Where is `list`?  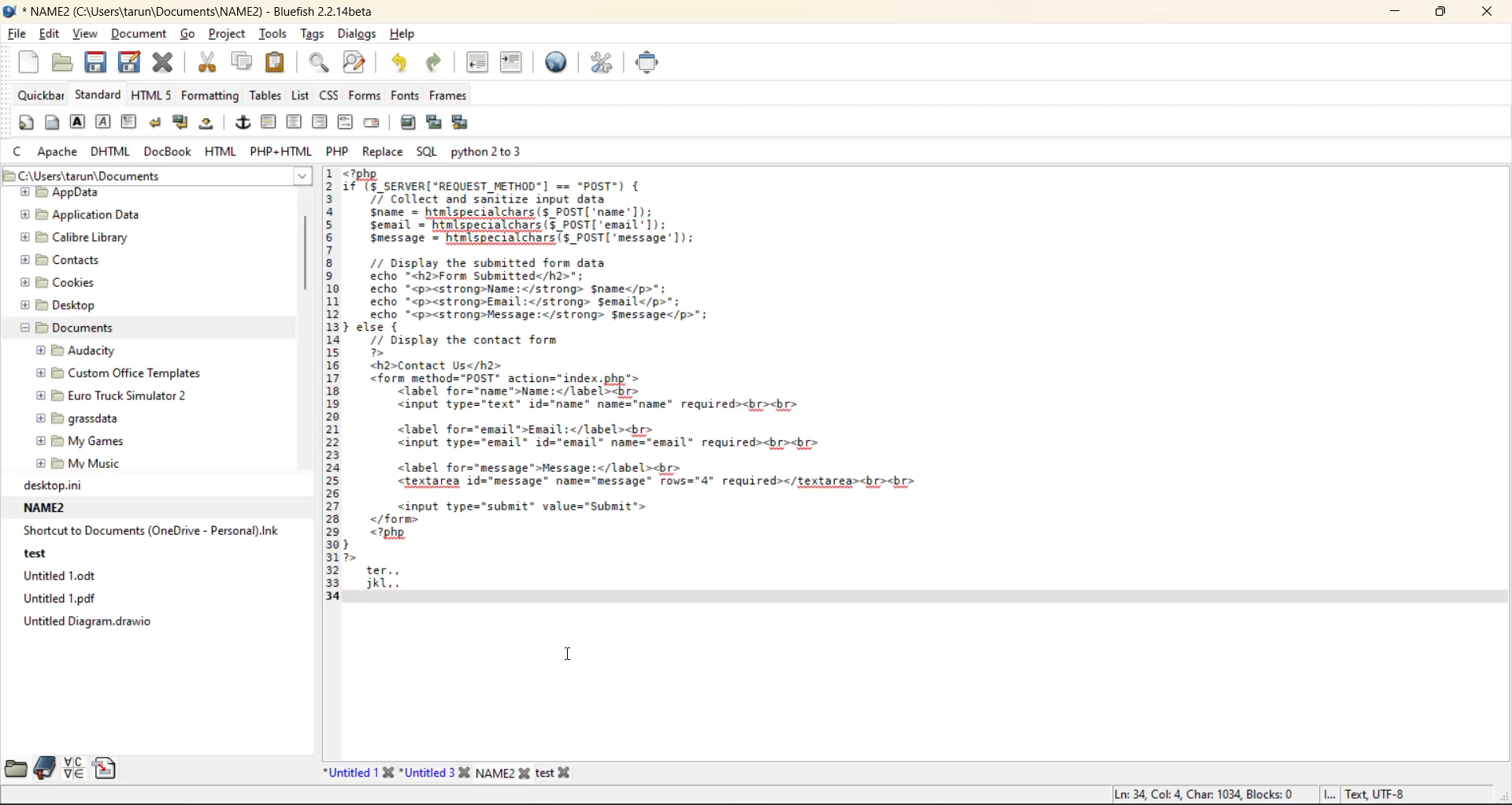 list is located at coordinates (305, 97).